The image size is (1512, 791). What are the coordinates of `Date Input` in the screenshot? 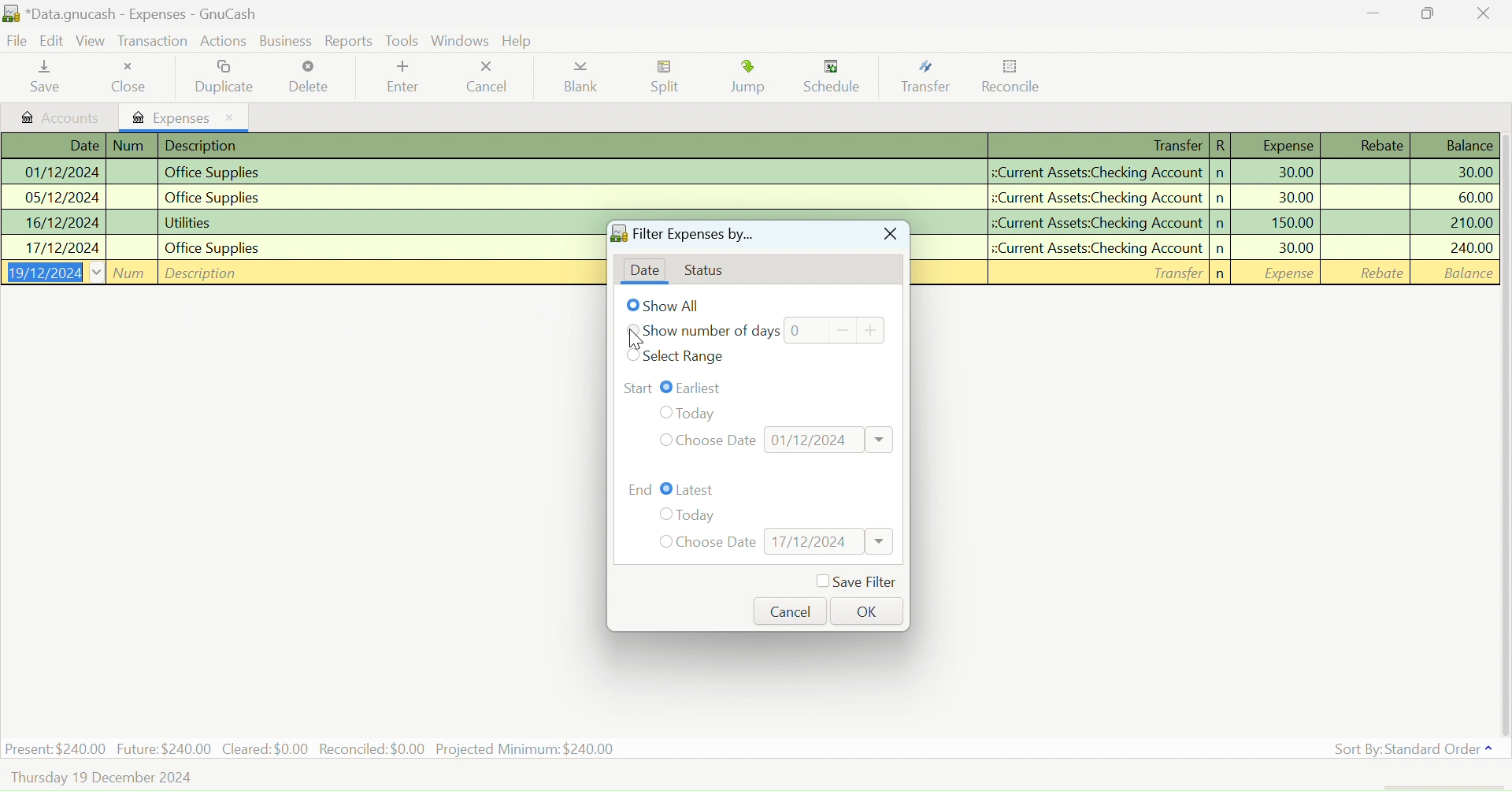 It's located at (828, 541).